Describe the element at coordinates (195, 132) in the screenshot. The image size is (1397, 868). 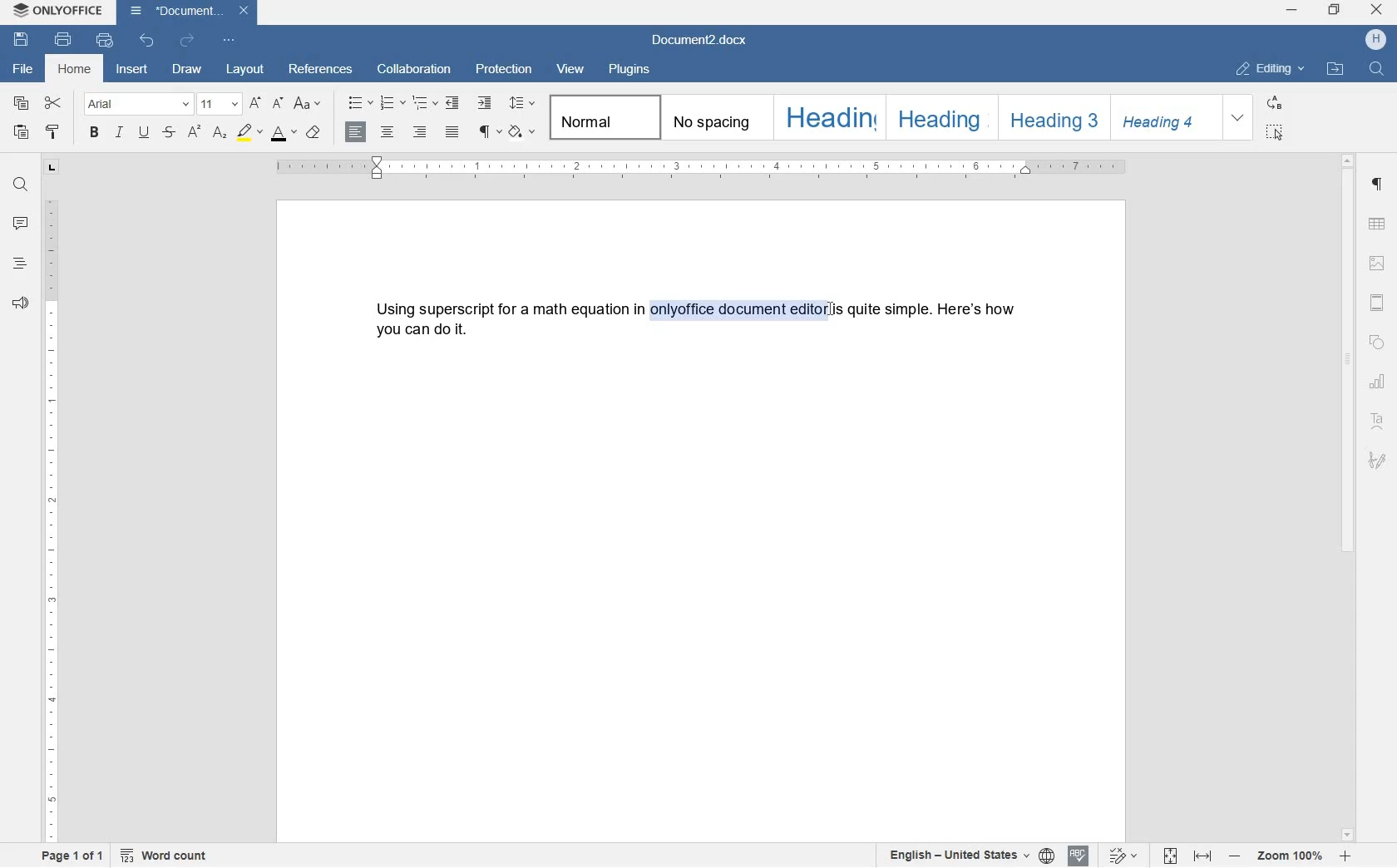
I see `superscript` at that location.